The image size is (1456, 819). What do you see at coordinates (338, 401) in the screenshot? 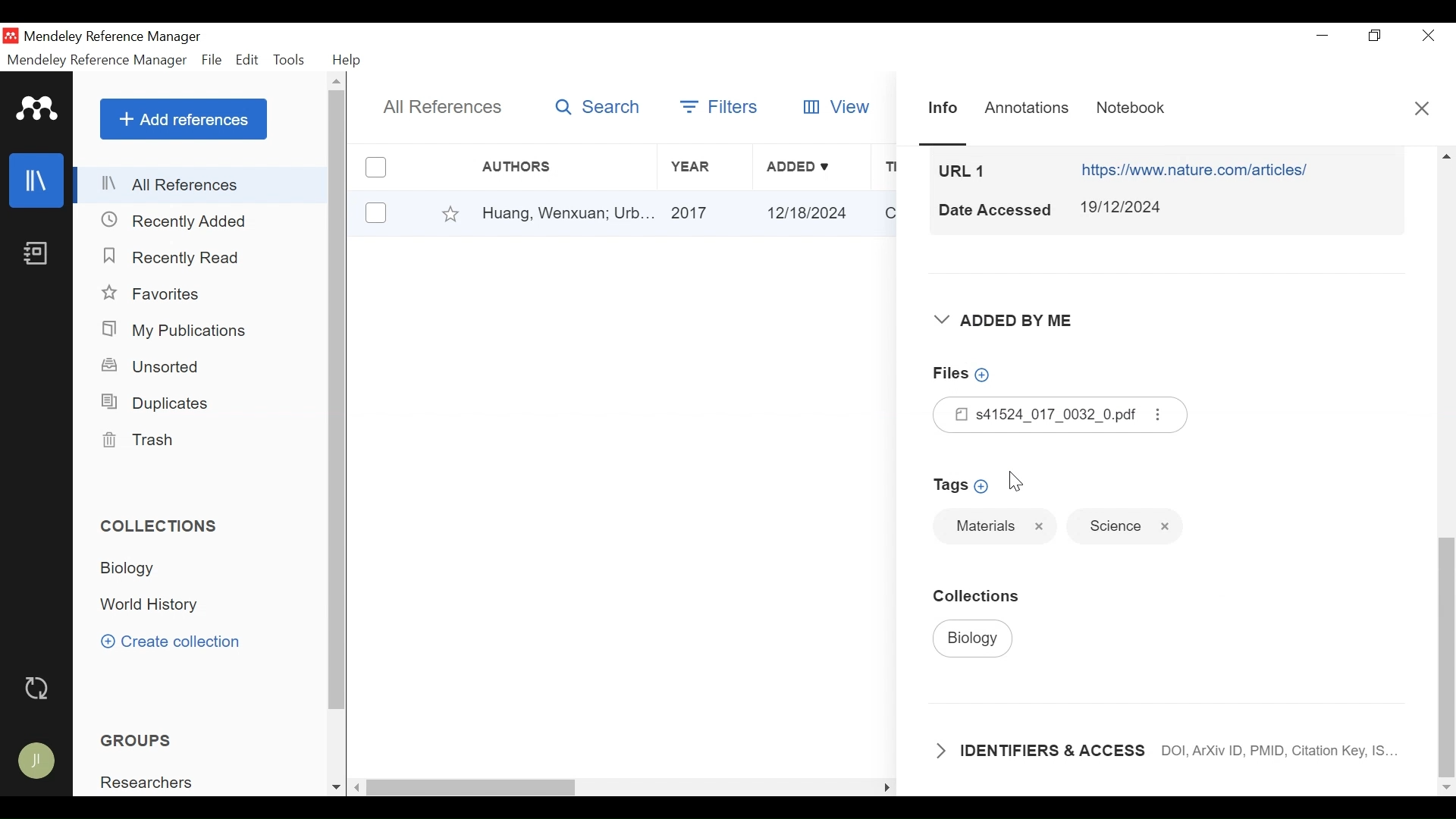
I see `Vertical Scroll bar` at bounding box center [338, 401].